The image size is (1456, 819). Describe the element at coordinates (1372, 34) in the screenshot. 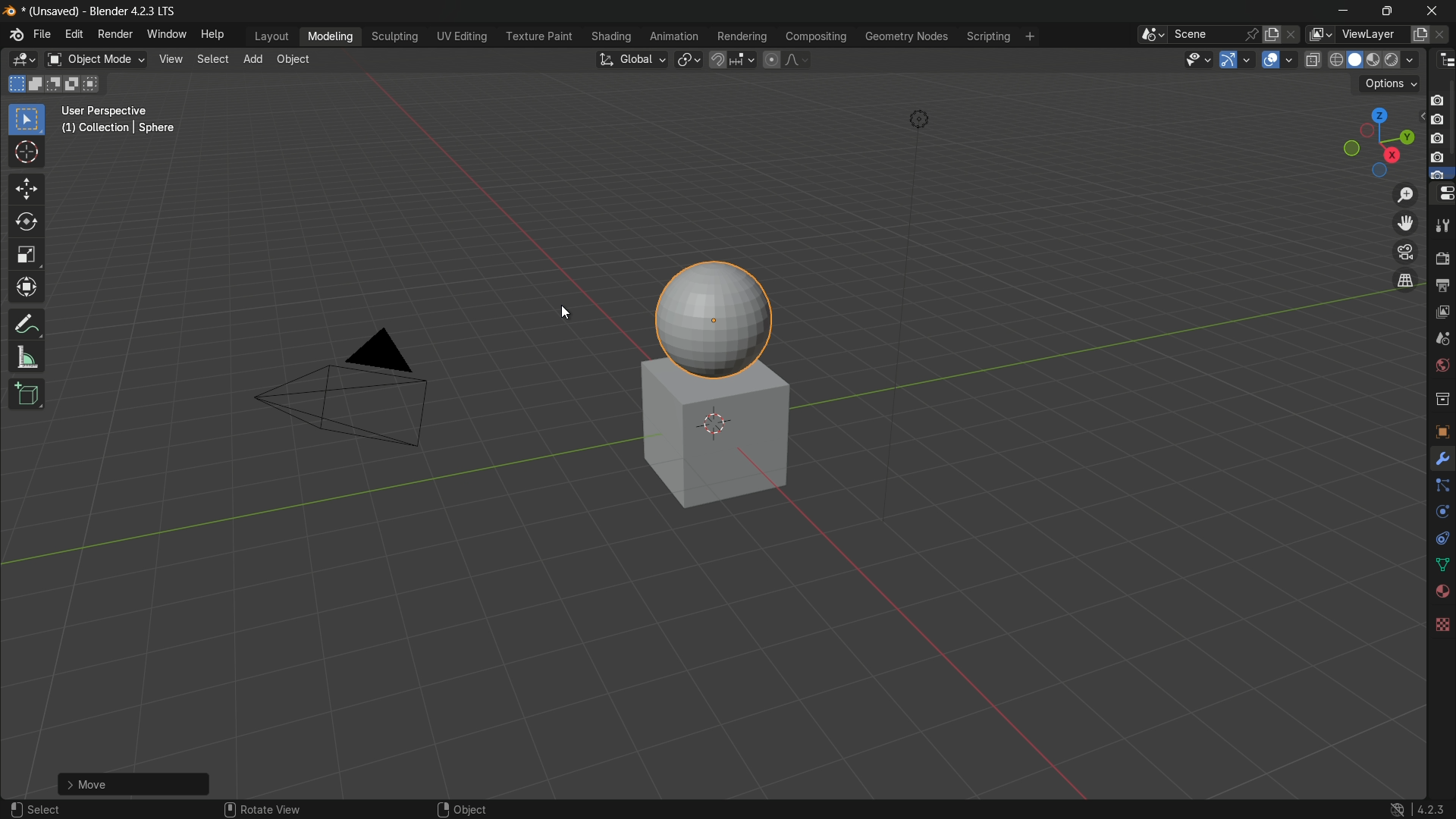

I see `view layer name` at that location.